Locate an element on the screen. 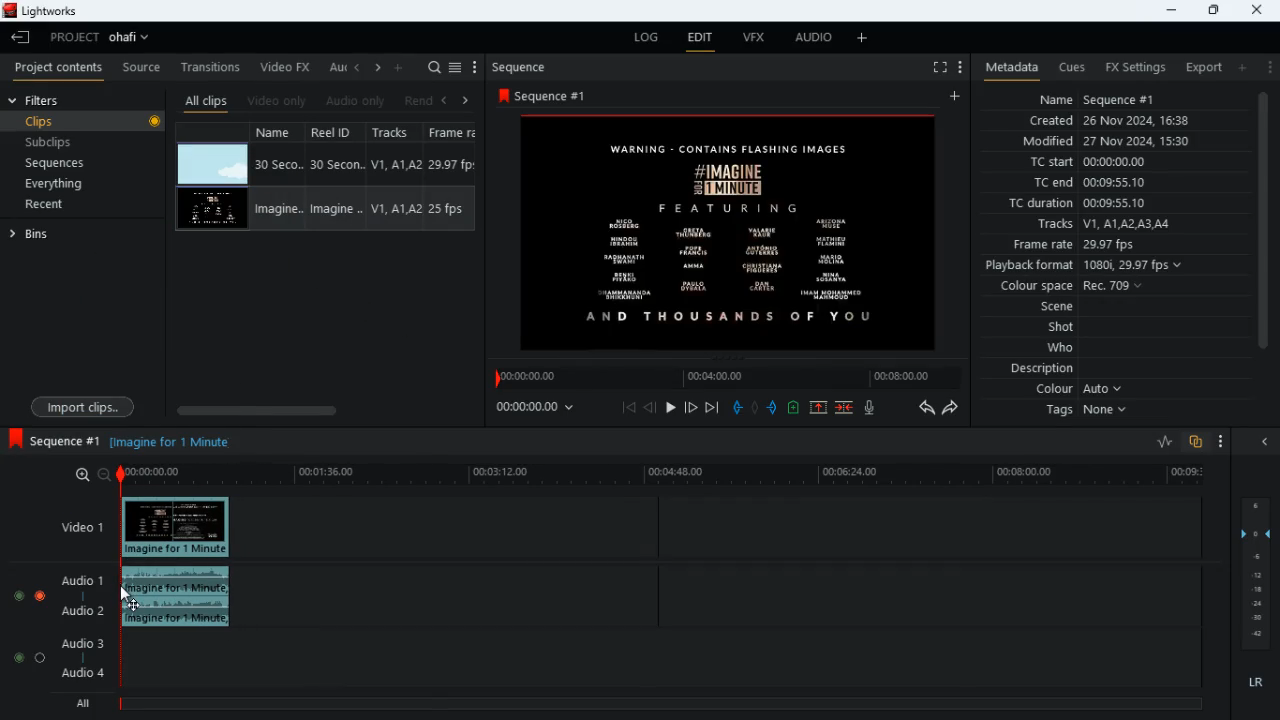 The height and width of the screenshot is (720, 1280). everything is located at coordinates (51, 185).